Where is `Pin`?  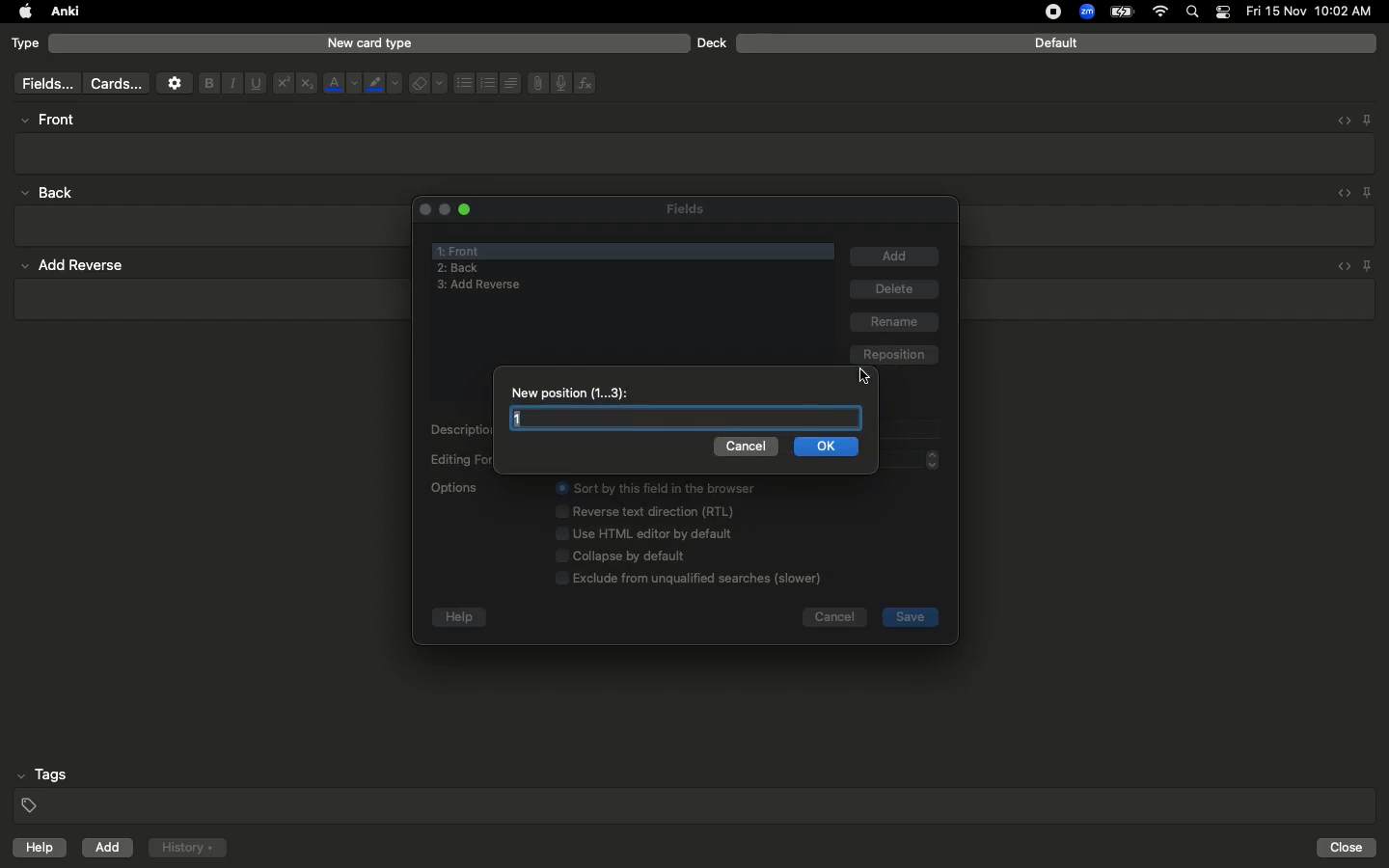
Pin is located at coordinates (1367, 119).